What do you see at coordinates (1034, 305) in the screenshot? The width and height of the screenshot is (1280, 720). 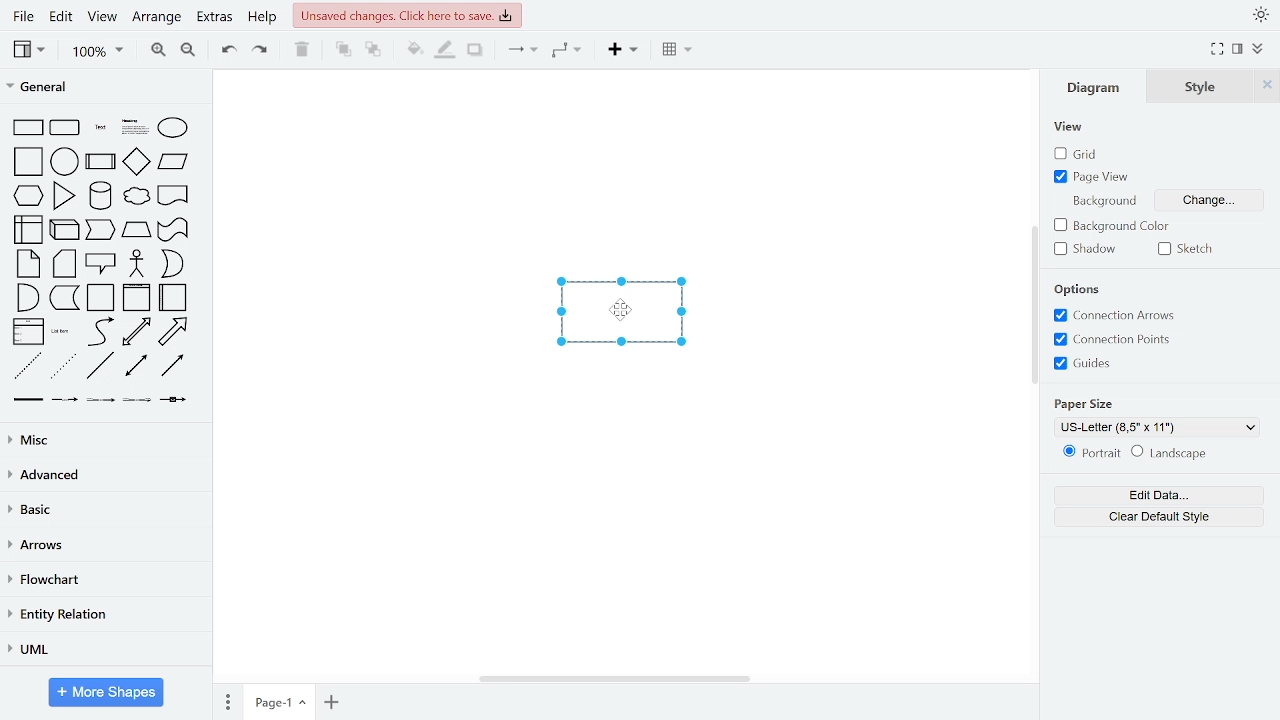 I see `vertical scrollbar` at bounding box center [1034, 305].